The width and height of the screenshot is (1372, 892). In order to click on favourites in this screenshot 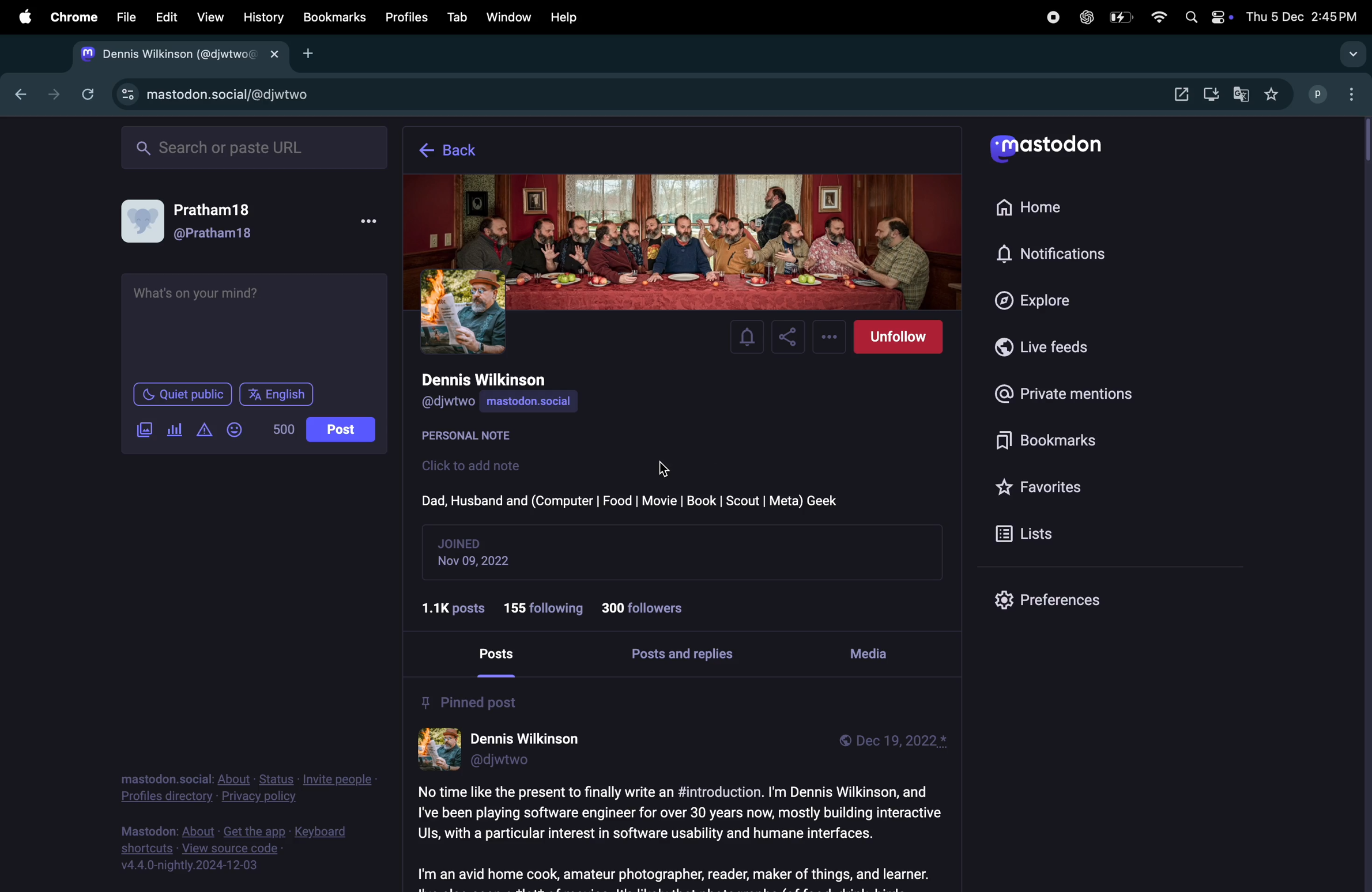, I will do `click(1044, 488)`.